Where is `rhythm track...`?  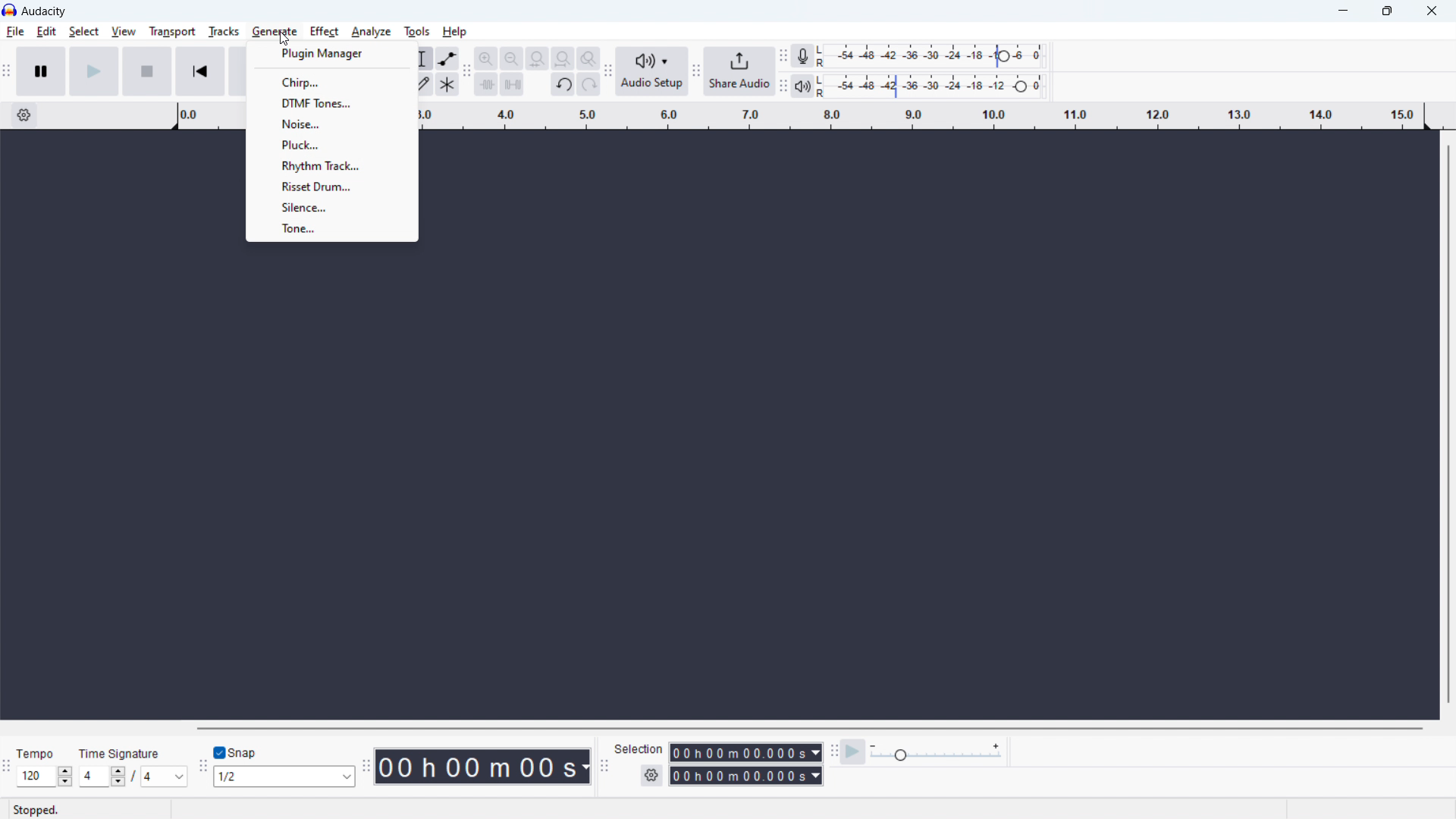
rhythm track... is located at coordinates (333, 165).